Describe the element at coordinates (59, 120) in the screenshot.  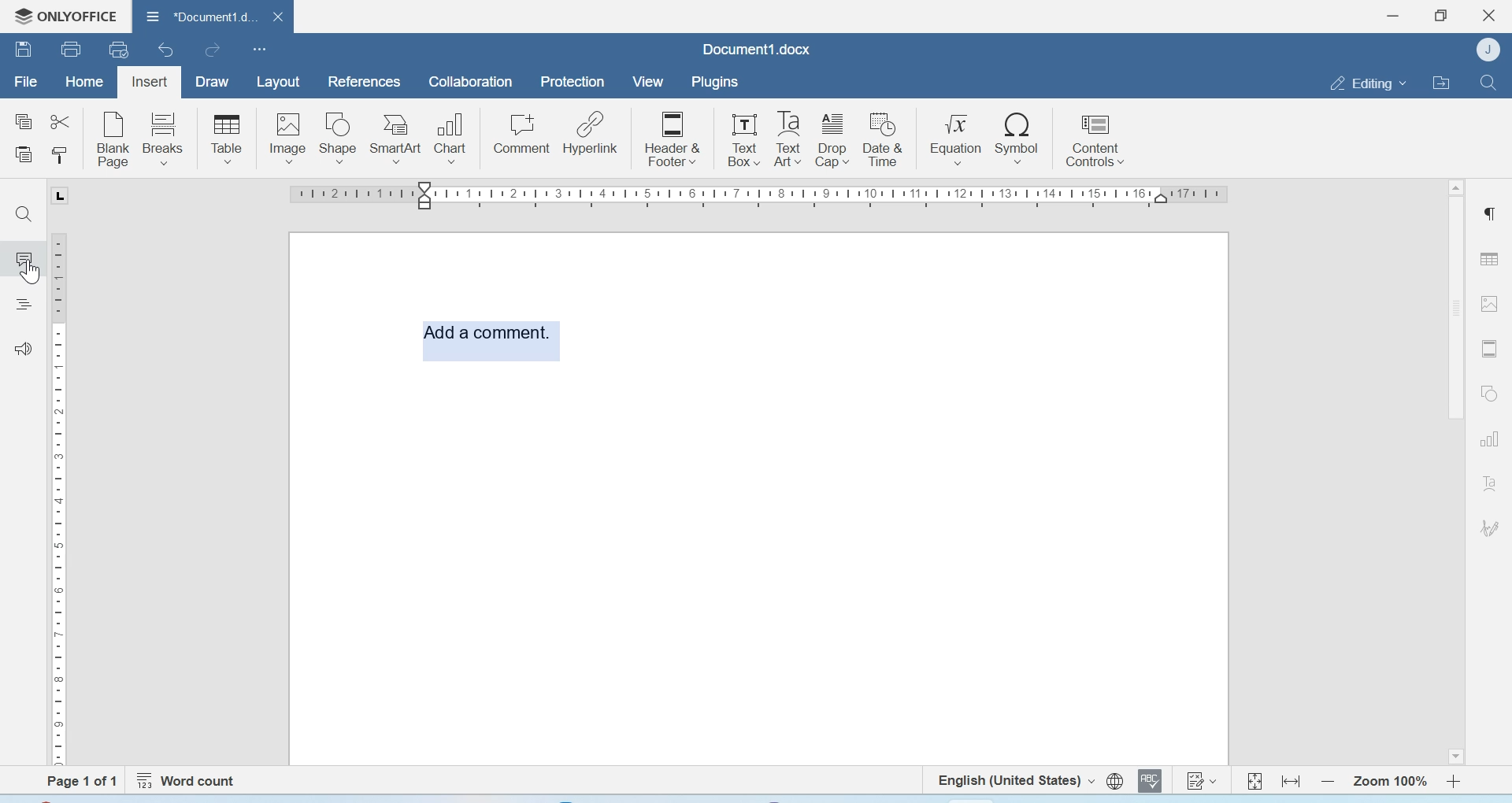
I see `Cut` at that location.